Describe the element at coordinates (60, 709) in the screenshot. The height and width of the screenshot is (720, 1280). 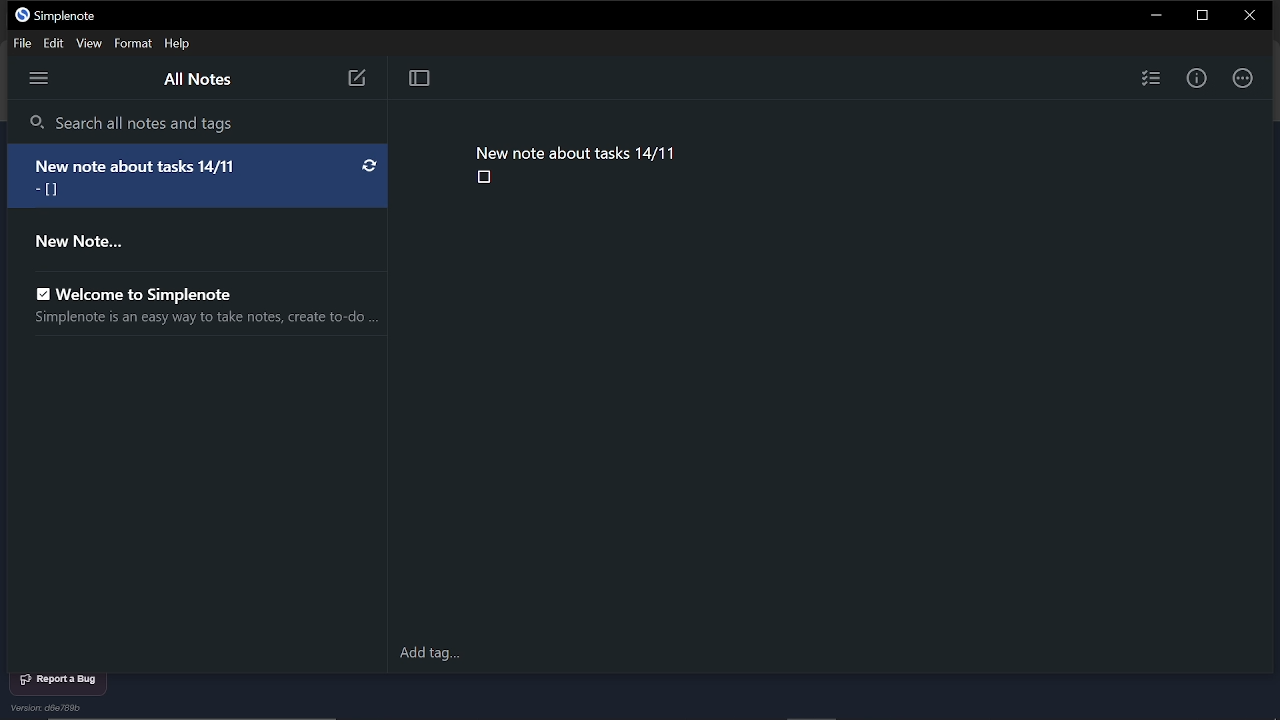
I see `fersion. dbe7880` at that location.